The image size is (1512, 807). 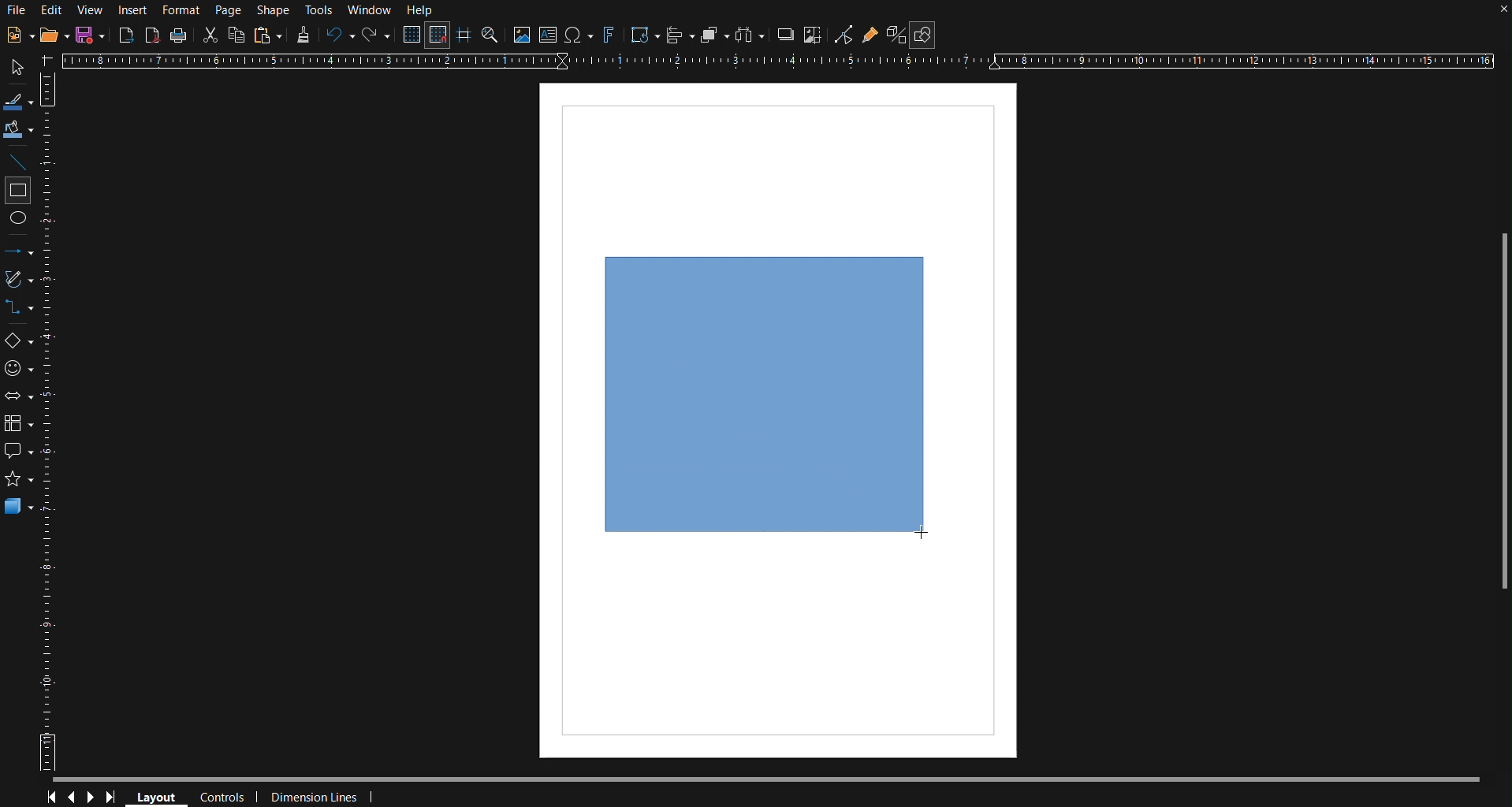 What do you see at coordinates (422, 10) in the screenshot?
I see `Help` at bounding box center [422, 10].